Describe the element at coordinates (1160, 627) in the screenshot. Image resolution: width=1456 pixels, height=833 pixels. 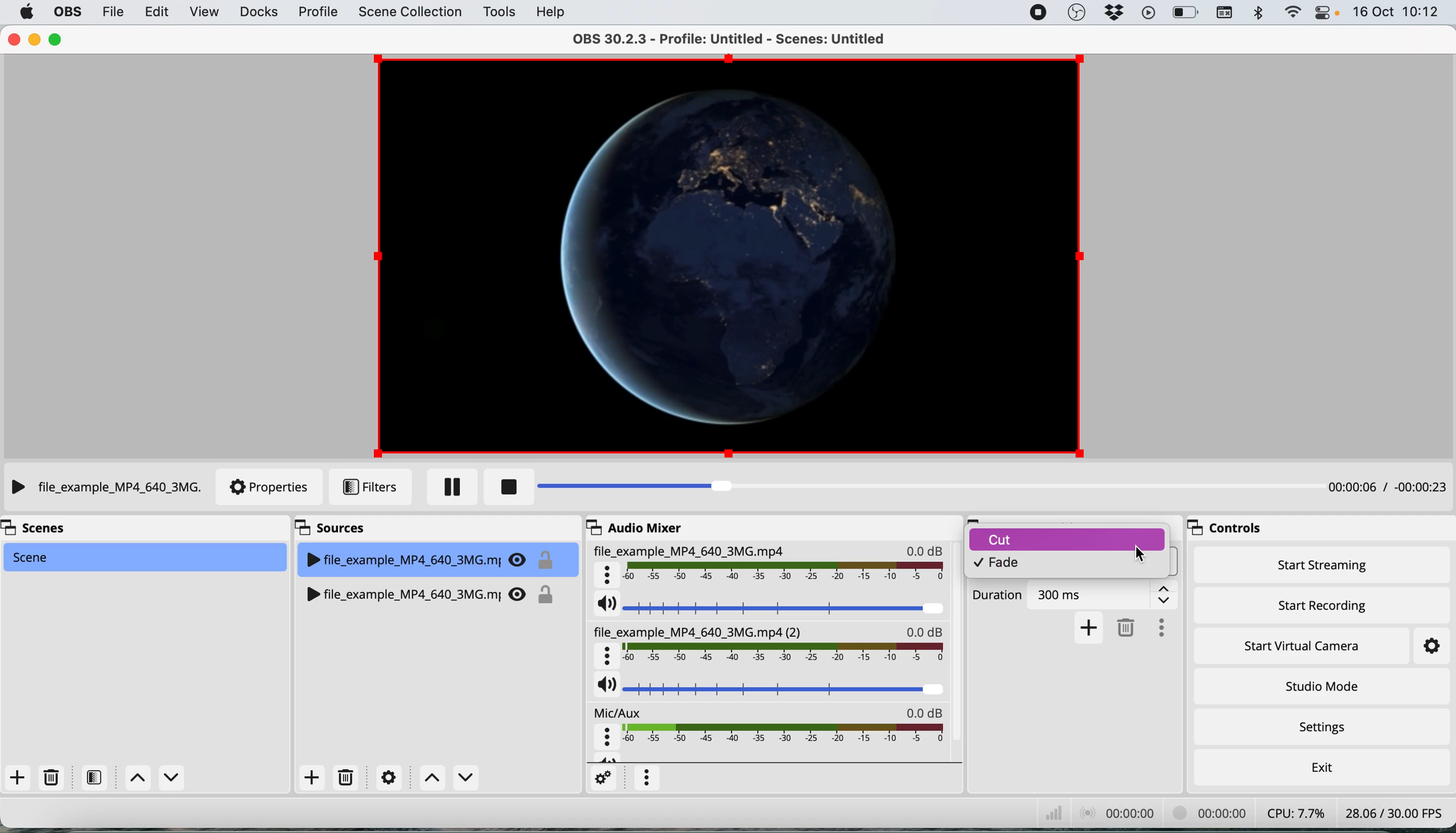
I see `more options` at that location.